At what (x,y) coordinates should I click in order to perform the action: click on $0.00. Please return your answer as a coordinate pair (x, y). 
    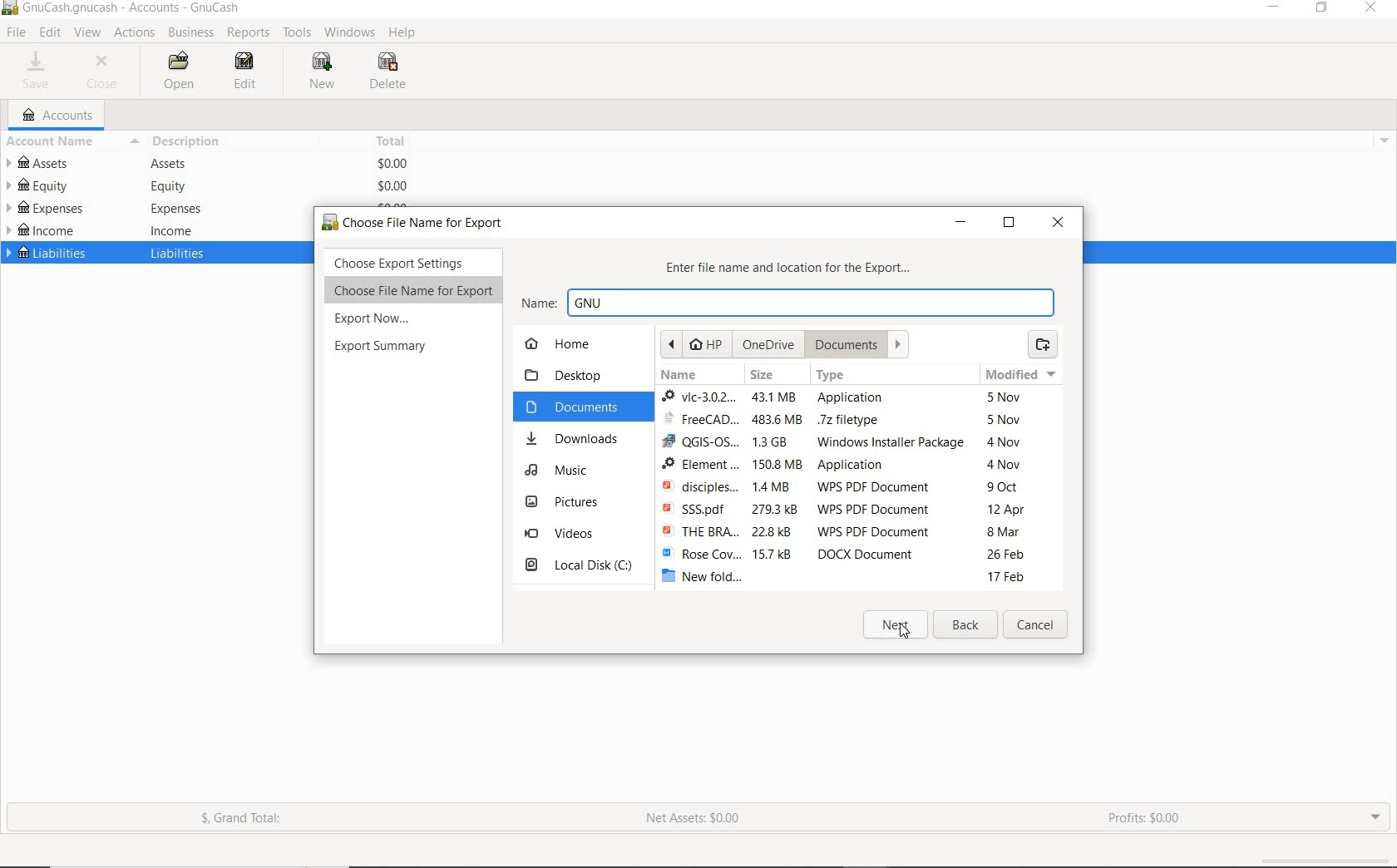
    Looking at the image, I should click on (394, 186).